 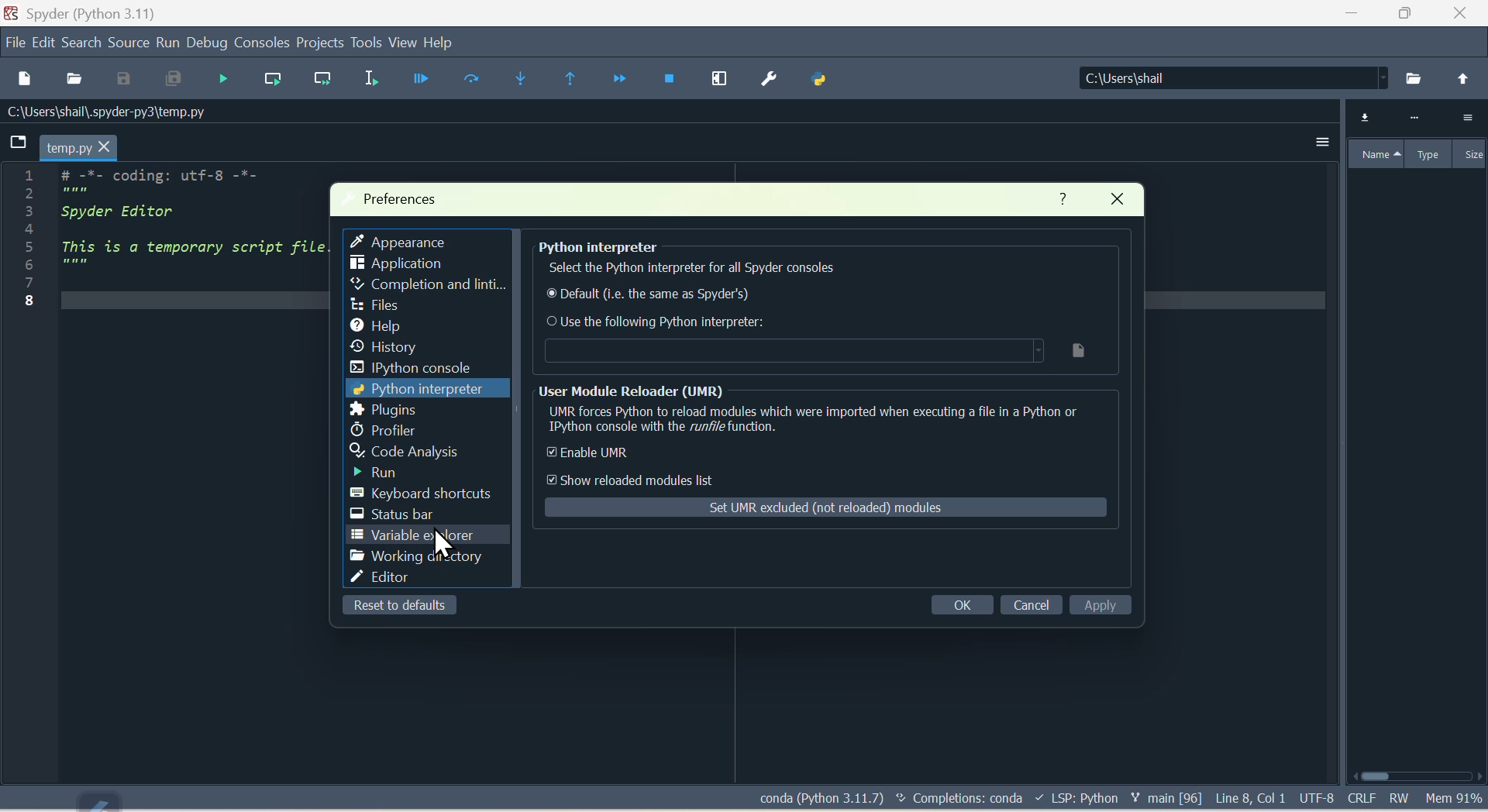 What do you see at coordinates (412, 609) in the screenshot?
I see `Reset to default` at bounding box center [412, 609].